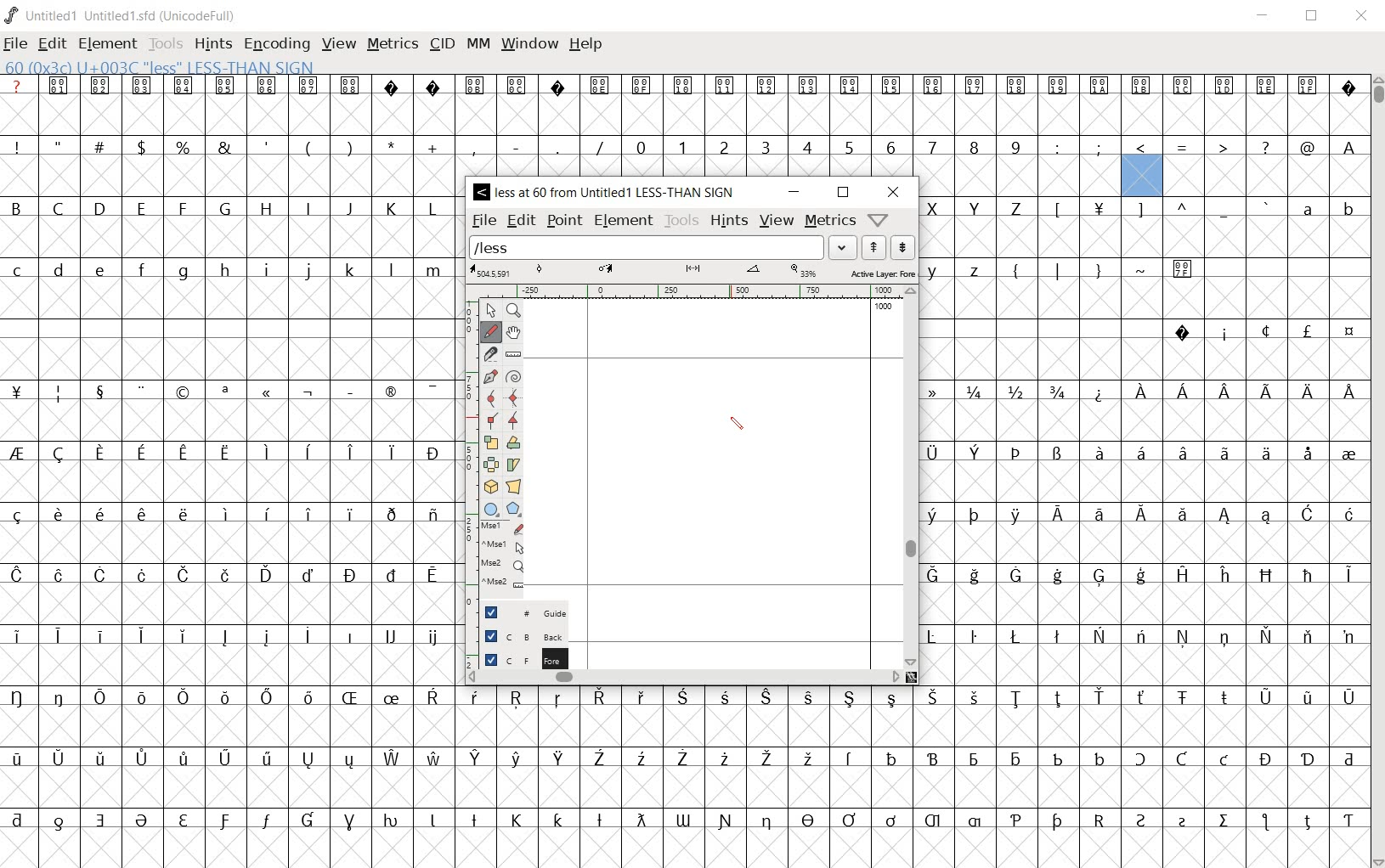 The height and width of the screenshot is (868, 1385). Describe the element at coordinates (1313, 15) in the screenshot. I see `restore down` at that location.